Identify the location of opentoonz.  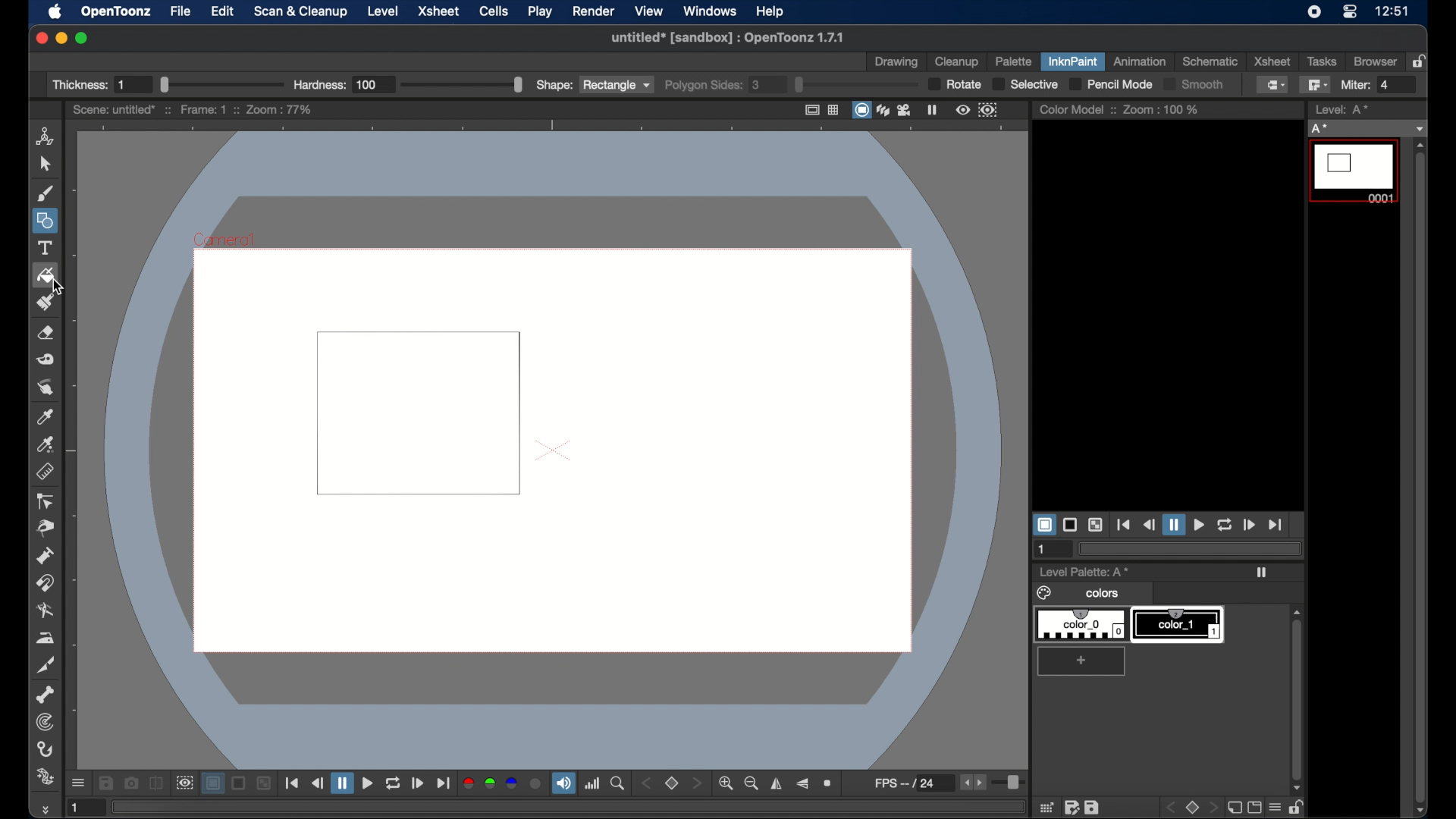
(117, 12).